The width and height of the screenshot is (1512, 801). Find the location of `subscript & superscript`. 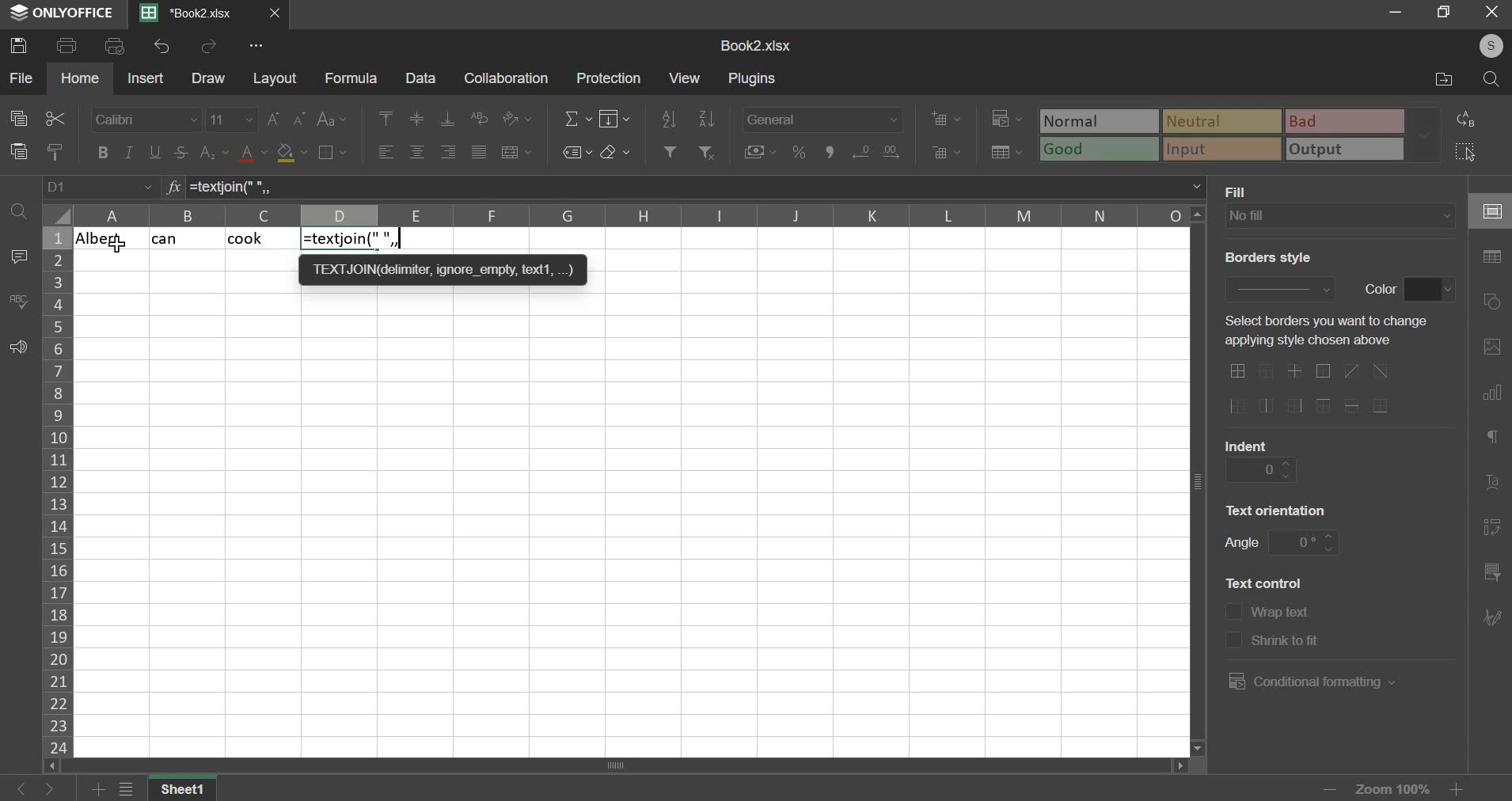

subscript & superscript is located at coordinates (214, 151).